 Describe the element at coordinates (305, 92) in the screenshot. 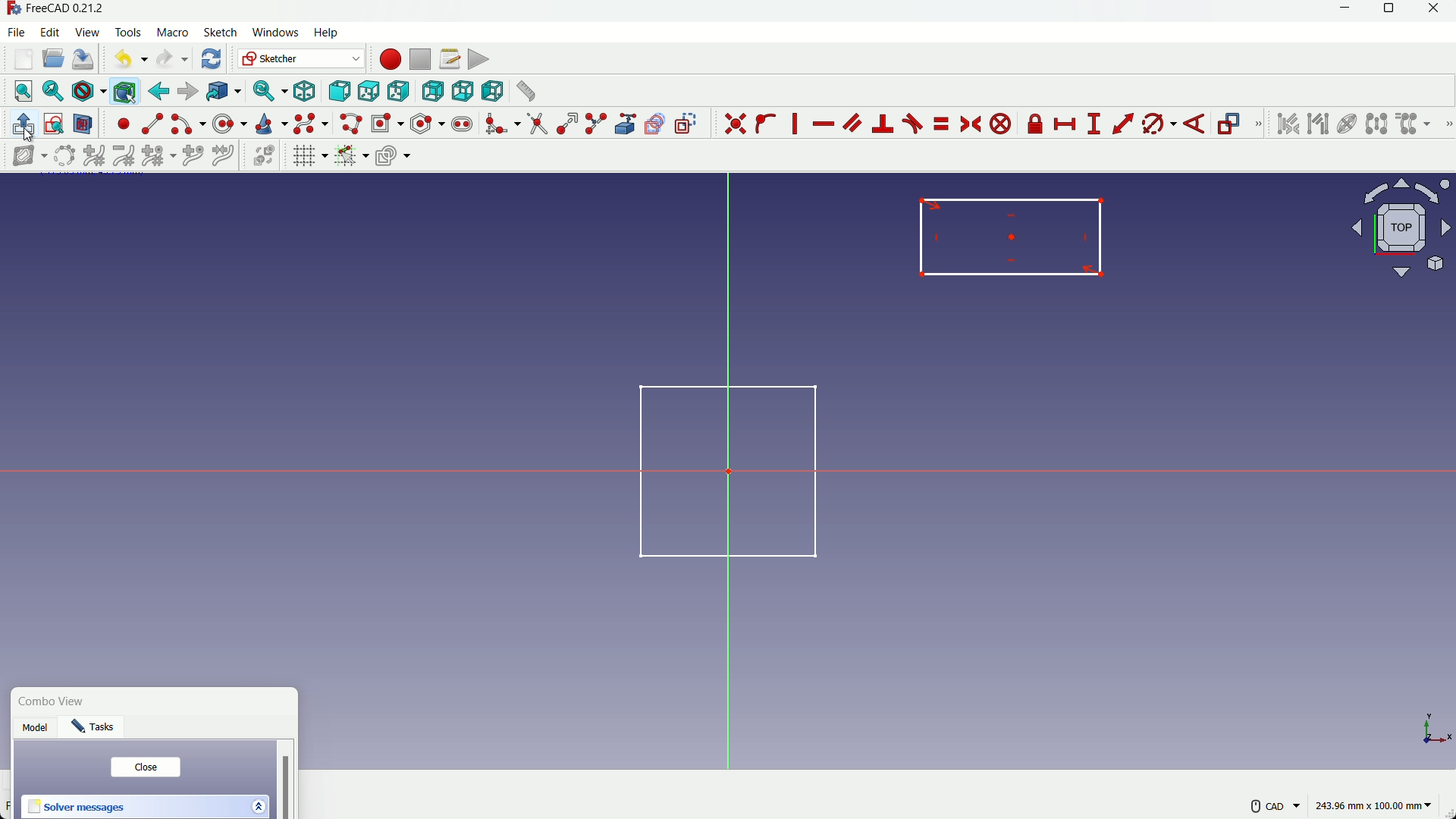

I see `isometric view` at that location.